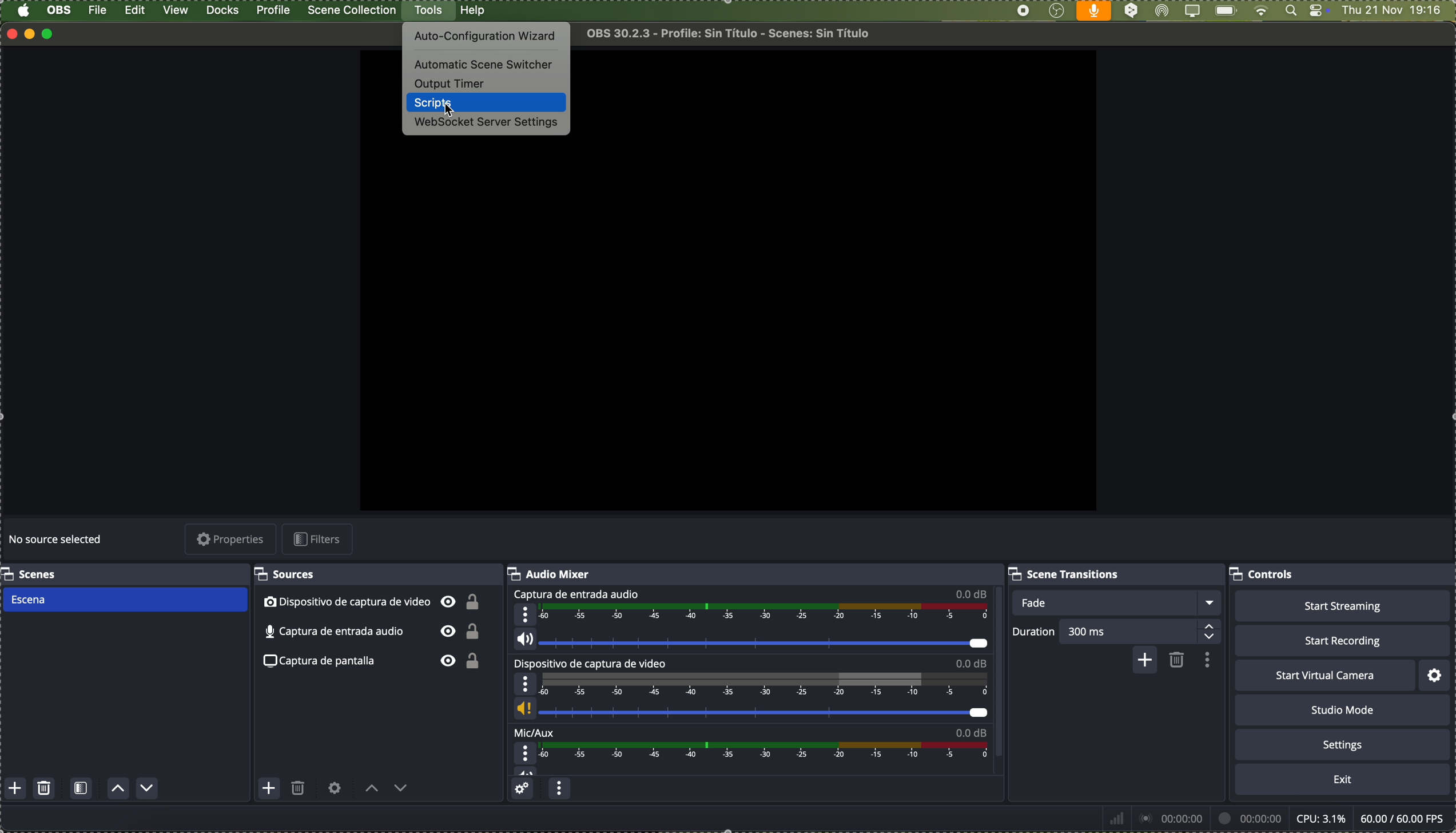 This screenshot has width=1456, height=833. I want to click on OBS Studio, so click(1056, 11).